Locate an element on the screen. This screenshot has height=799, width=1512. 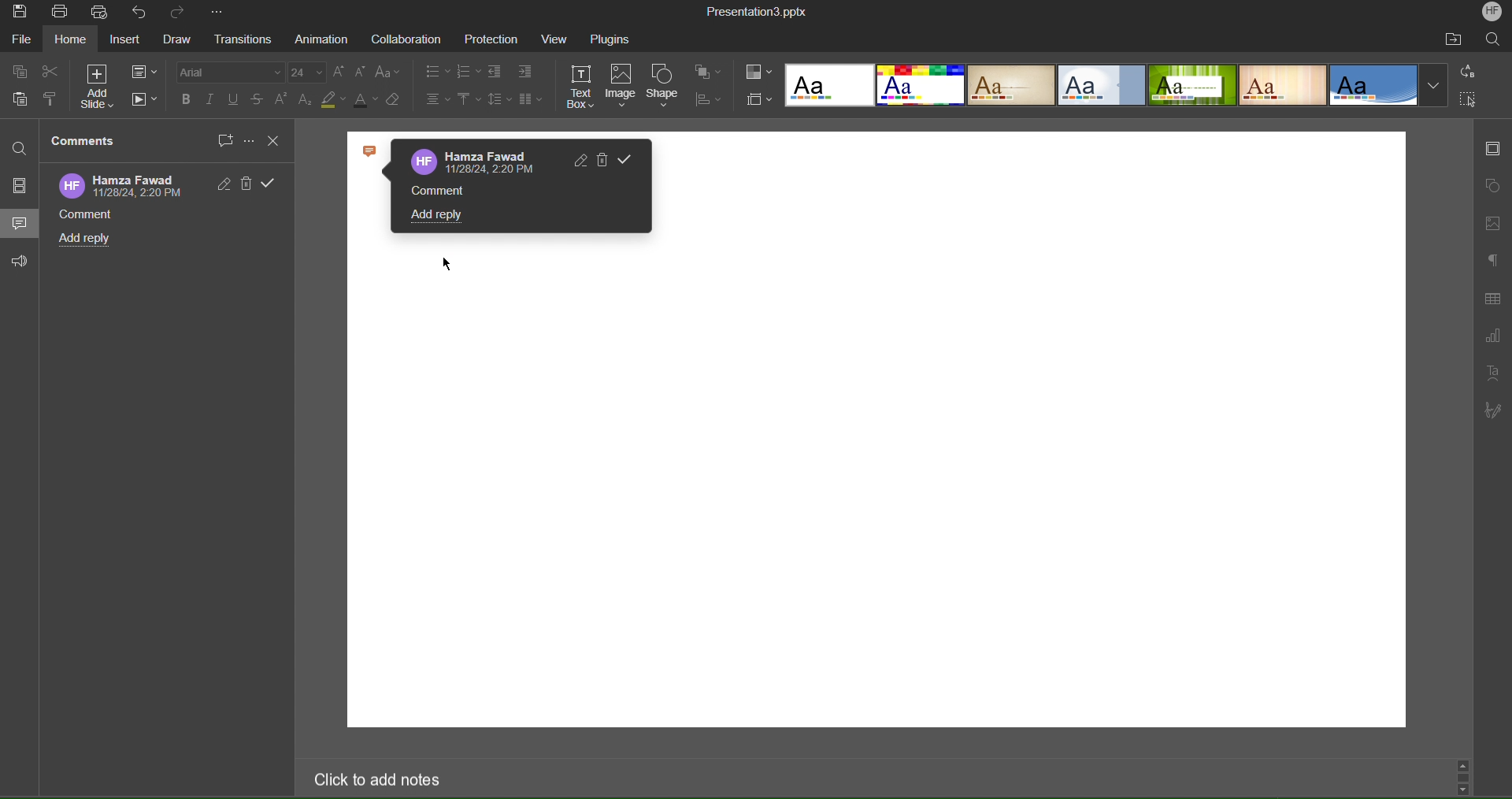
cut is located at coordinates (51, 72).